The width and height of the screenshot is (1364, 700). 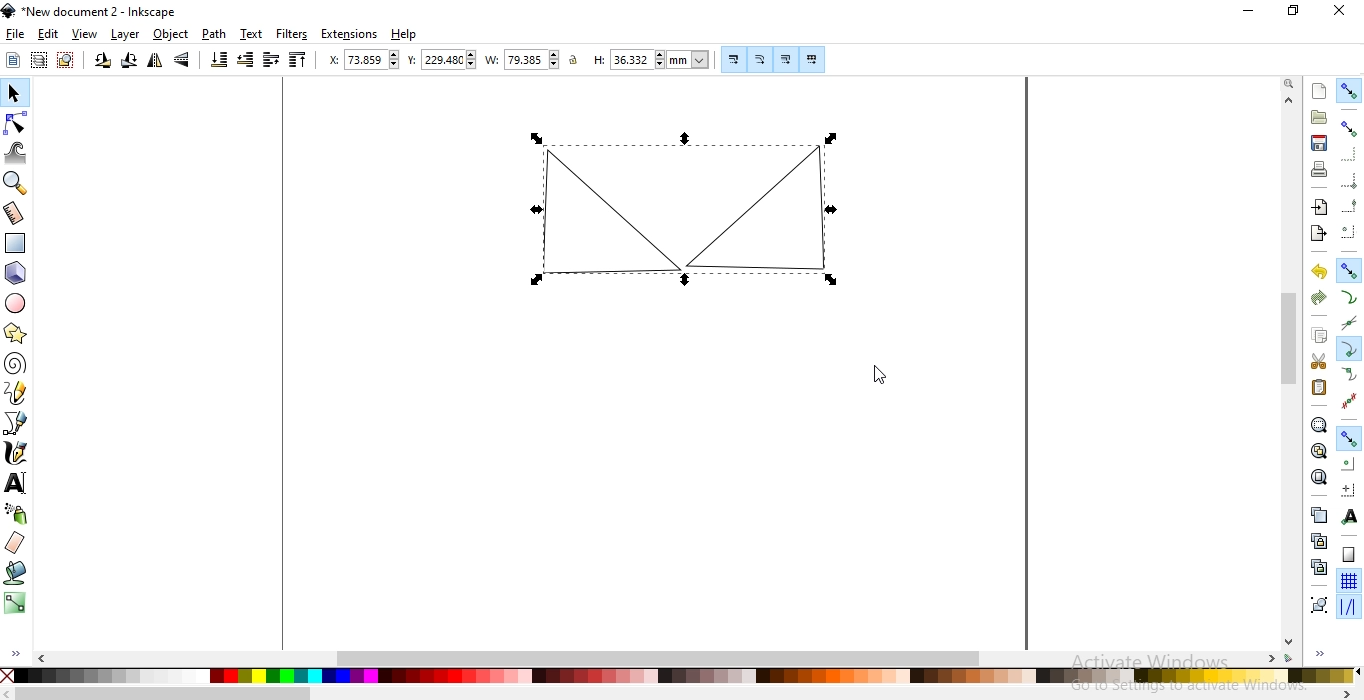 What do you see at coordinates (15, 274) in the screenshot?
I see `create 3D boxes` at bounding box center [15, 274].